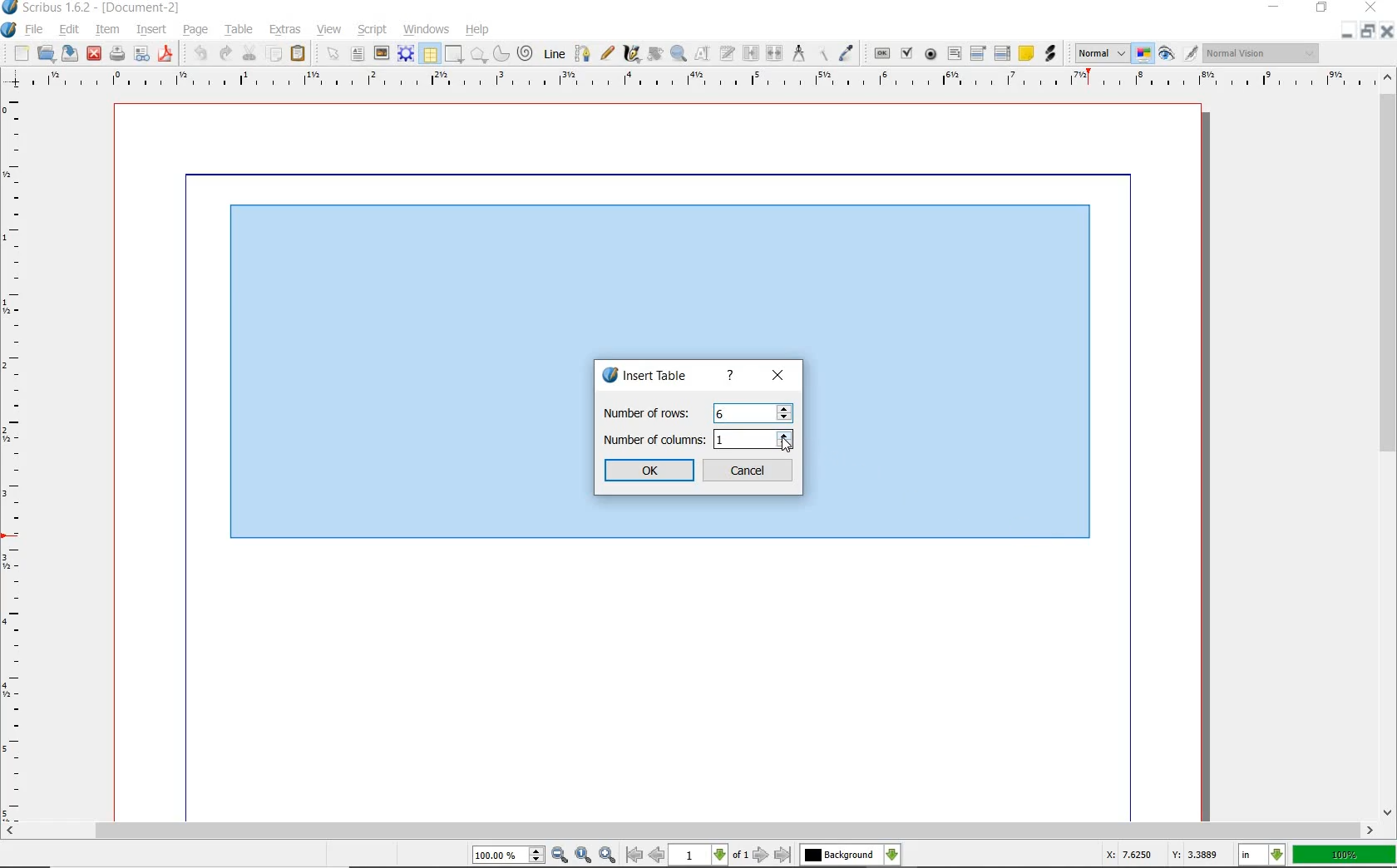  Describe the element at coordinates (155, 31) in the screenshot. I see `insert` at that location.